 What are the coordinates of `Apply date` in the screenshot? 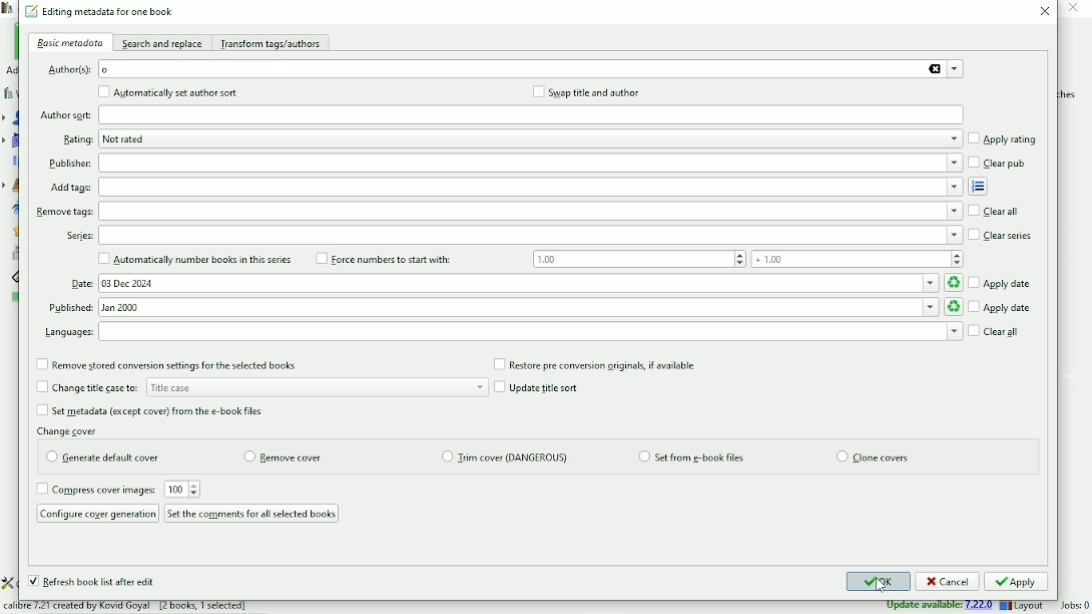 It's located at (1002, 283).